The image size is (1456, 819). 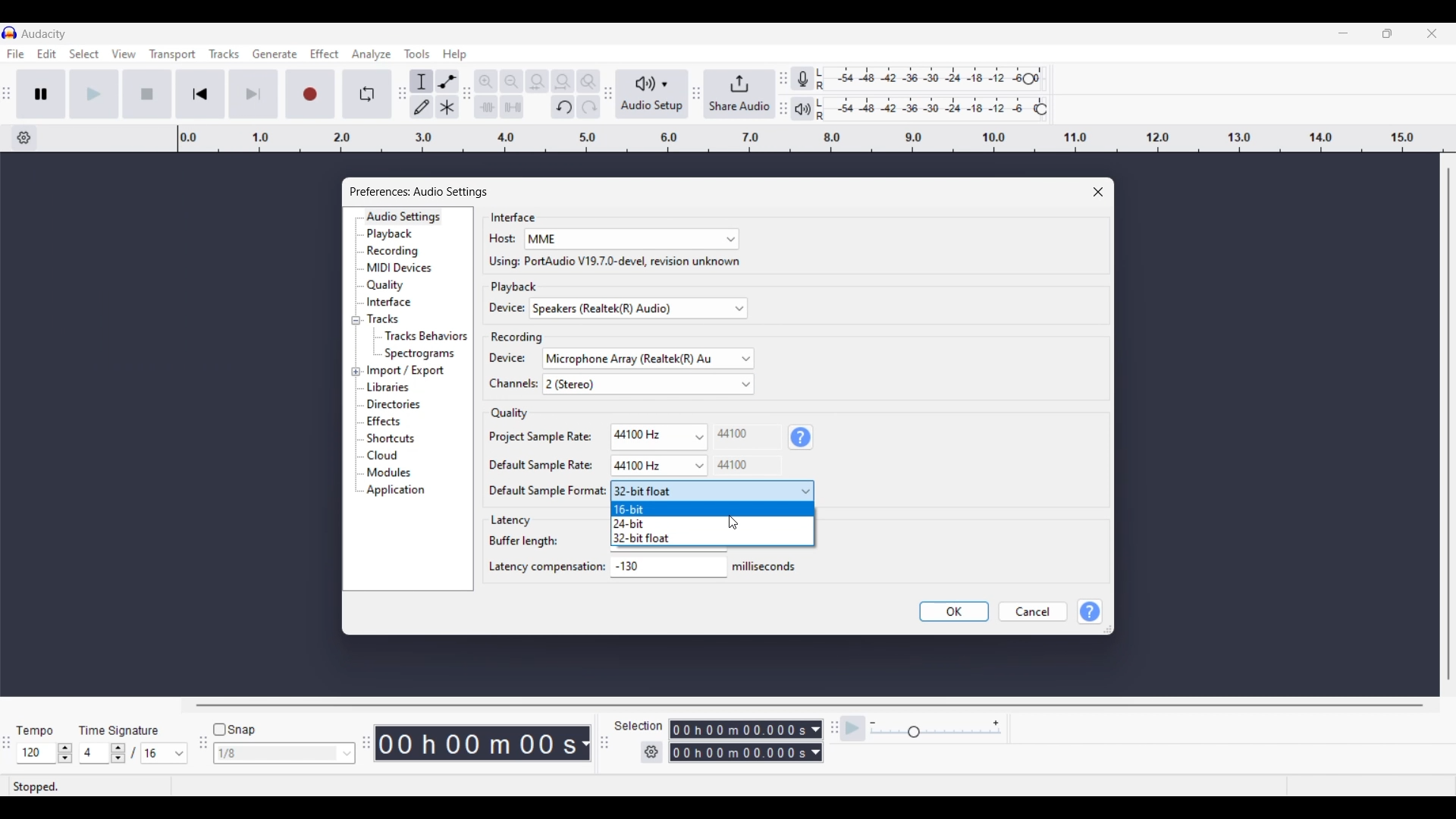 What do you see at coordinates (173, 54) in the screenshot?
I see `Transport menu` at bounding box center [173, 54].